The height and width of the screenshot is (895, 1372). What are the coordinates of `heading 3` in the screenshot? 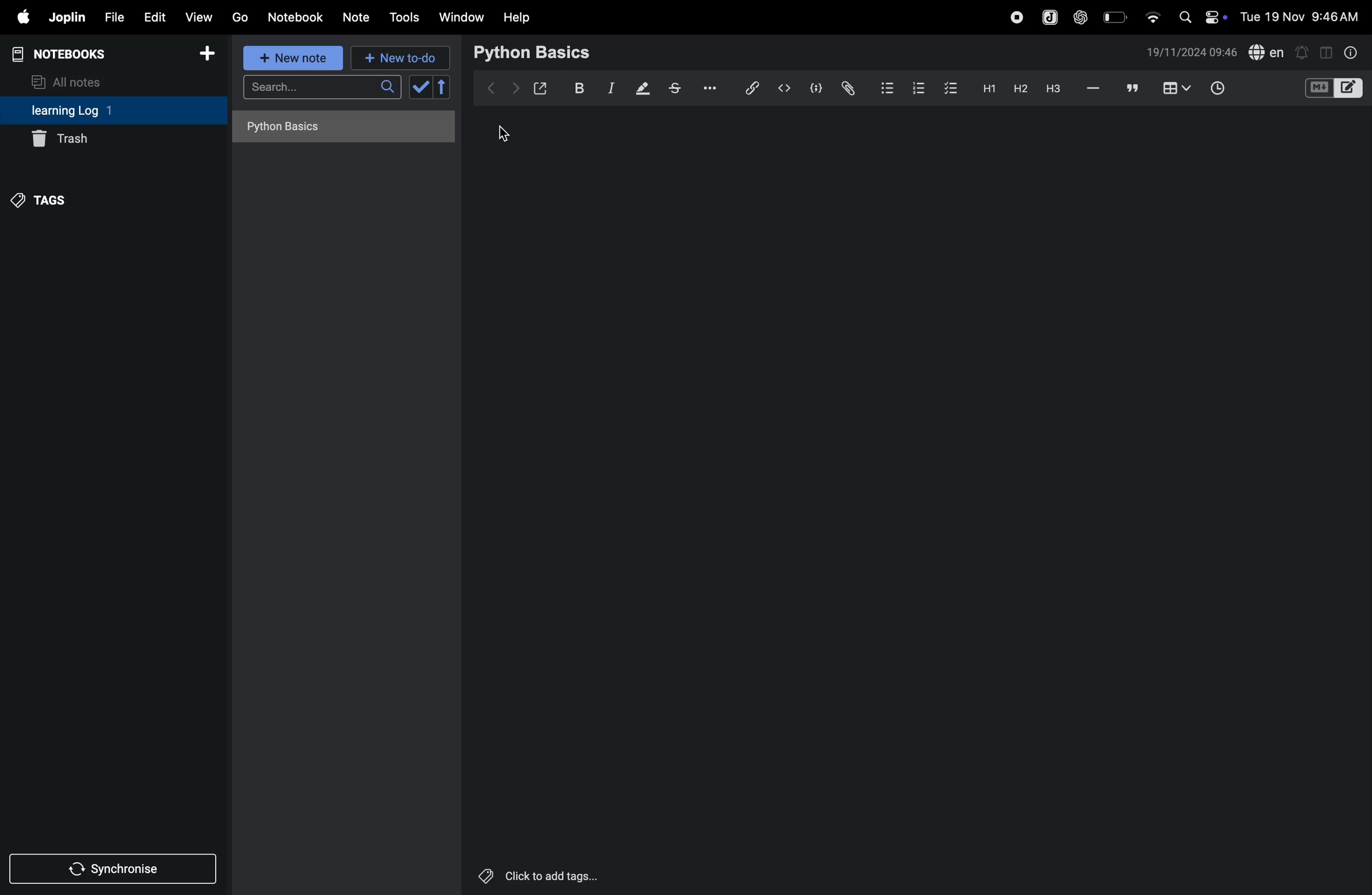 It's located at (1053, 89).